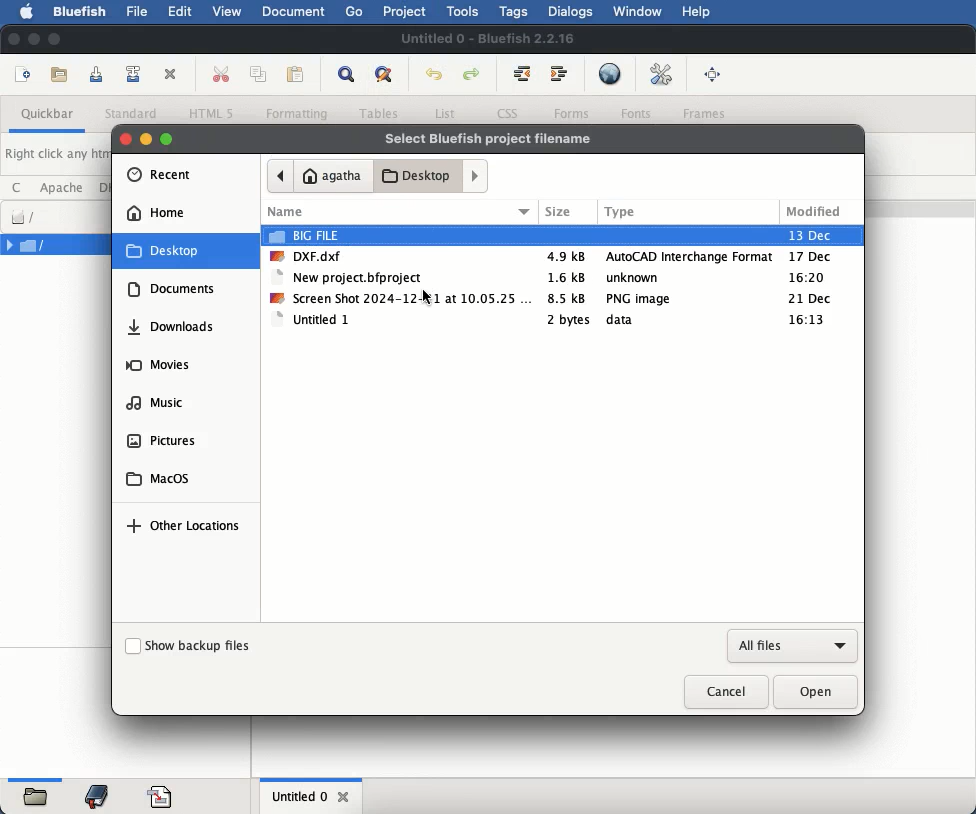 The image size is (976, 814). Describe the element at coordinates (815, 212) in the screenshot. I see `modified` at that location.